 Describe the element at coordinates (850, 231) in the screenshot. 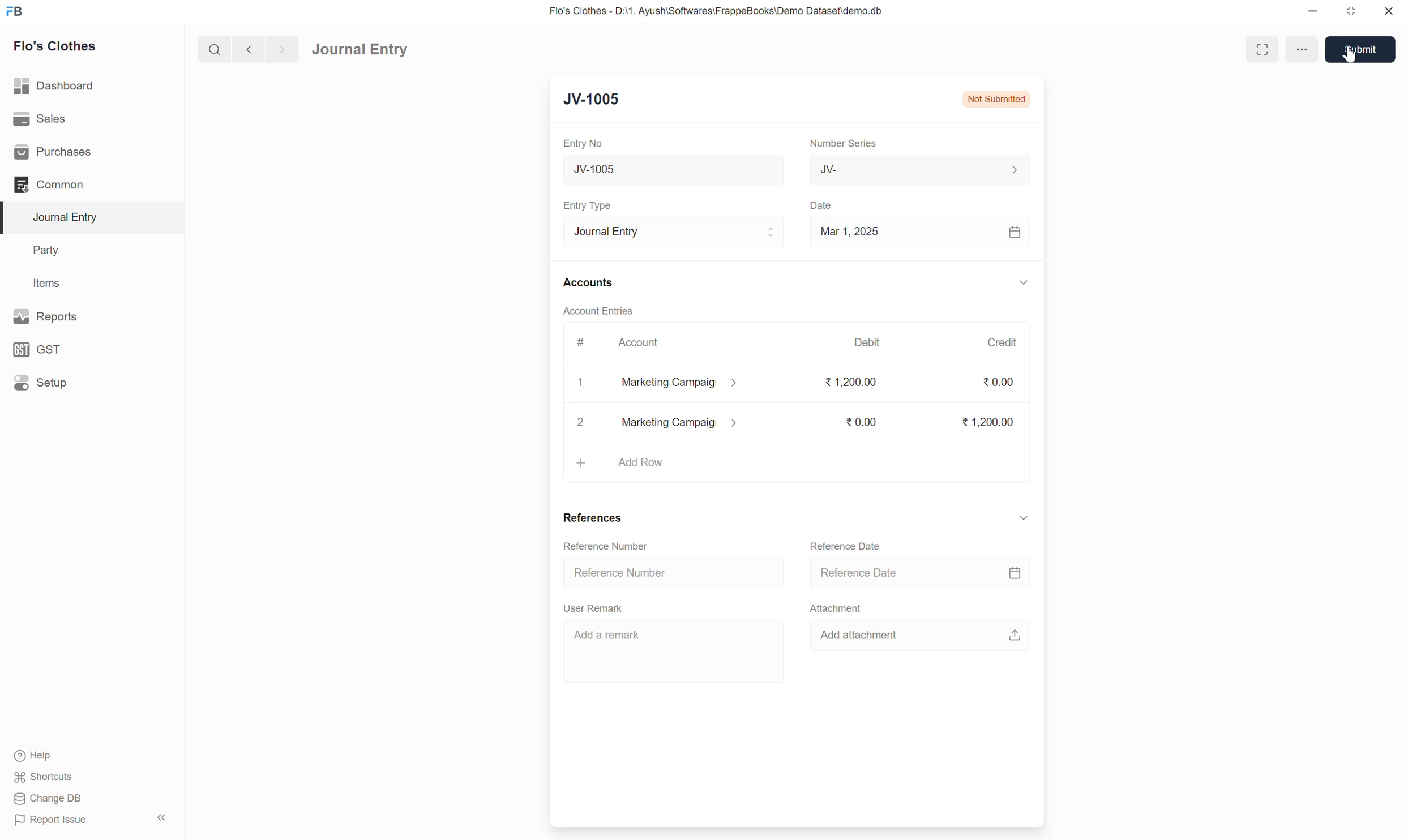

I see `Mar 1, 2025` at that location.